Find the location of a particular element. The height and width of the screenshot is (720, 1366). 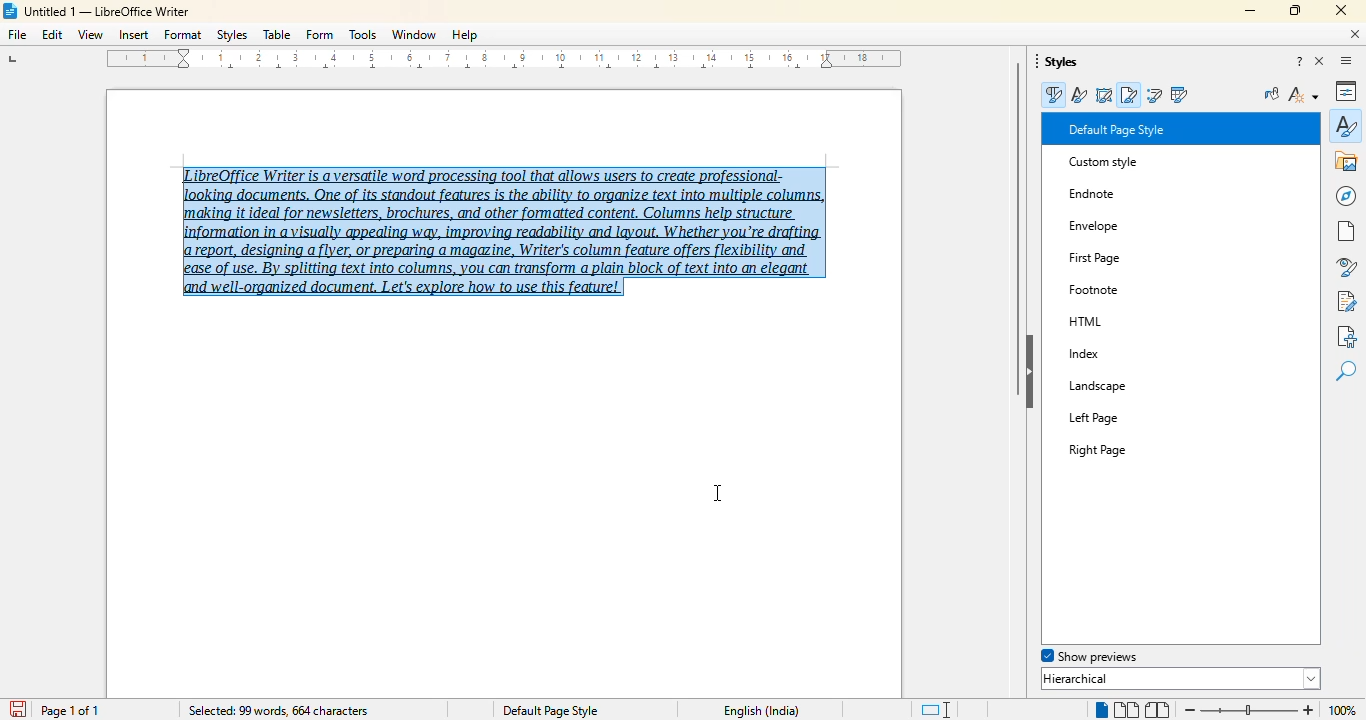

close  is located at coordinates (1341, 10).